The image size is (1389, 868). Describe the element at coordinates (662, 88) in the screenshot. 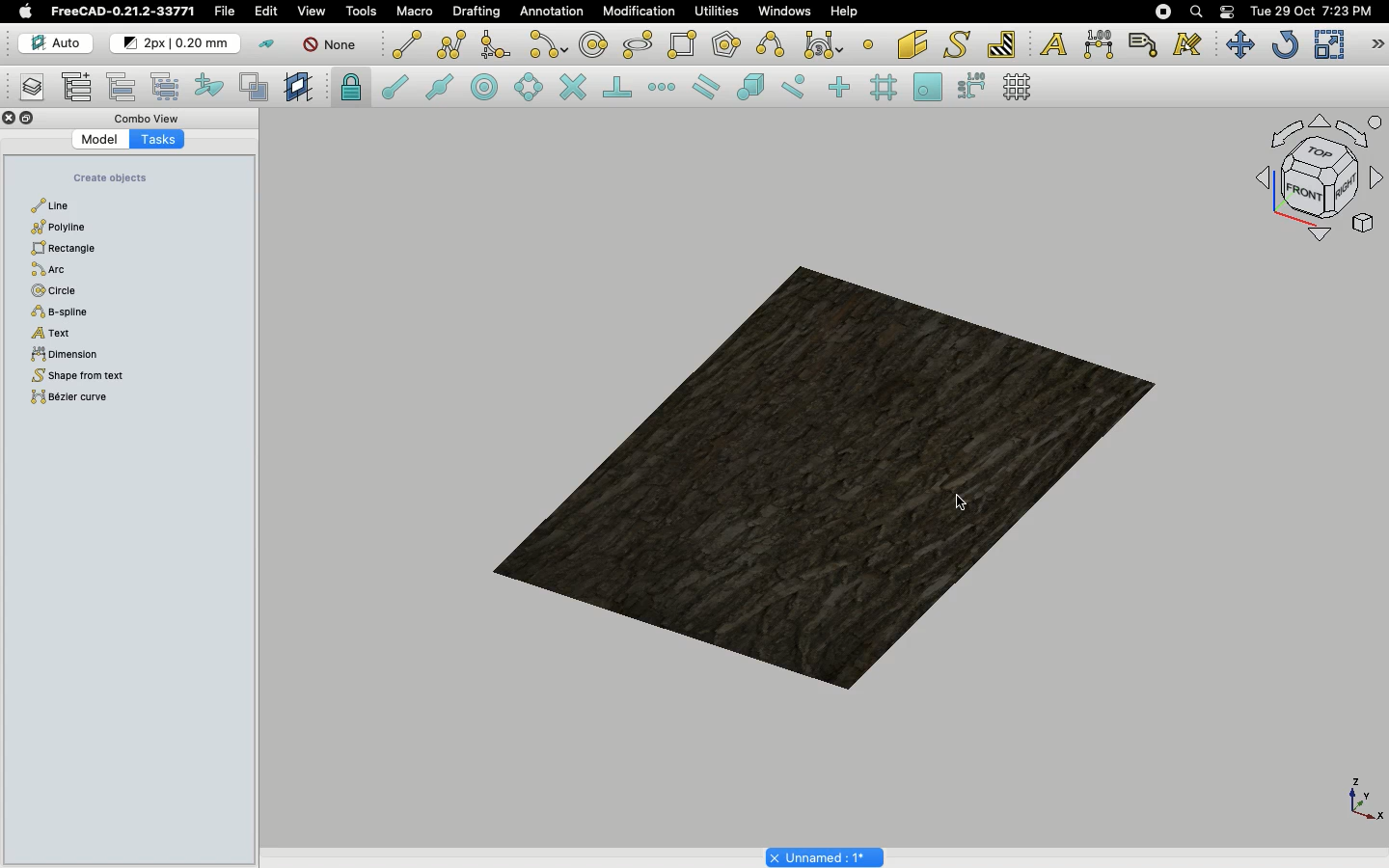

I see `Snap extension` at that location.